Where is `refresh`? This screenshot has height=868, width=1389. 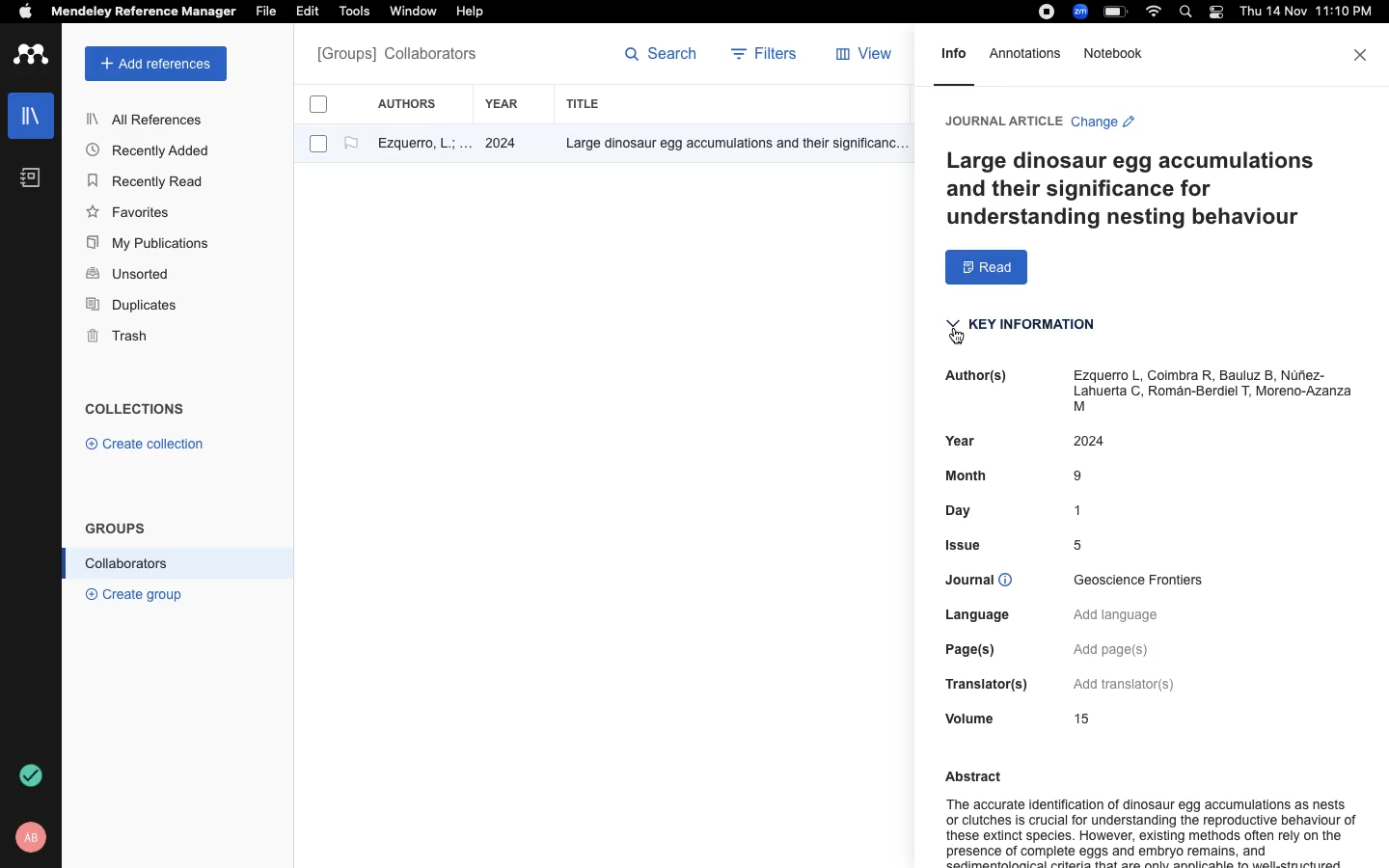
refresh is located at coordinates (34, 775).